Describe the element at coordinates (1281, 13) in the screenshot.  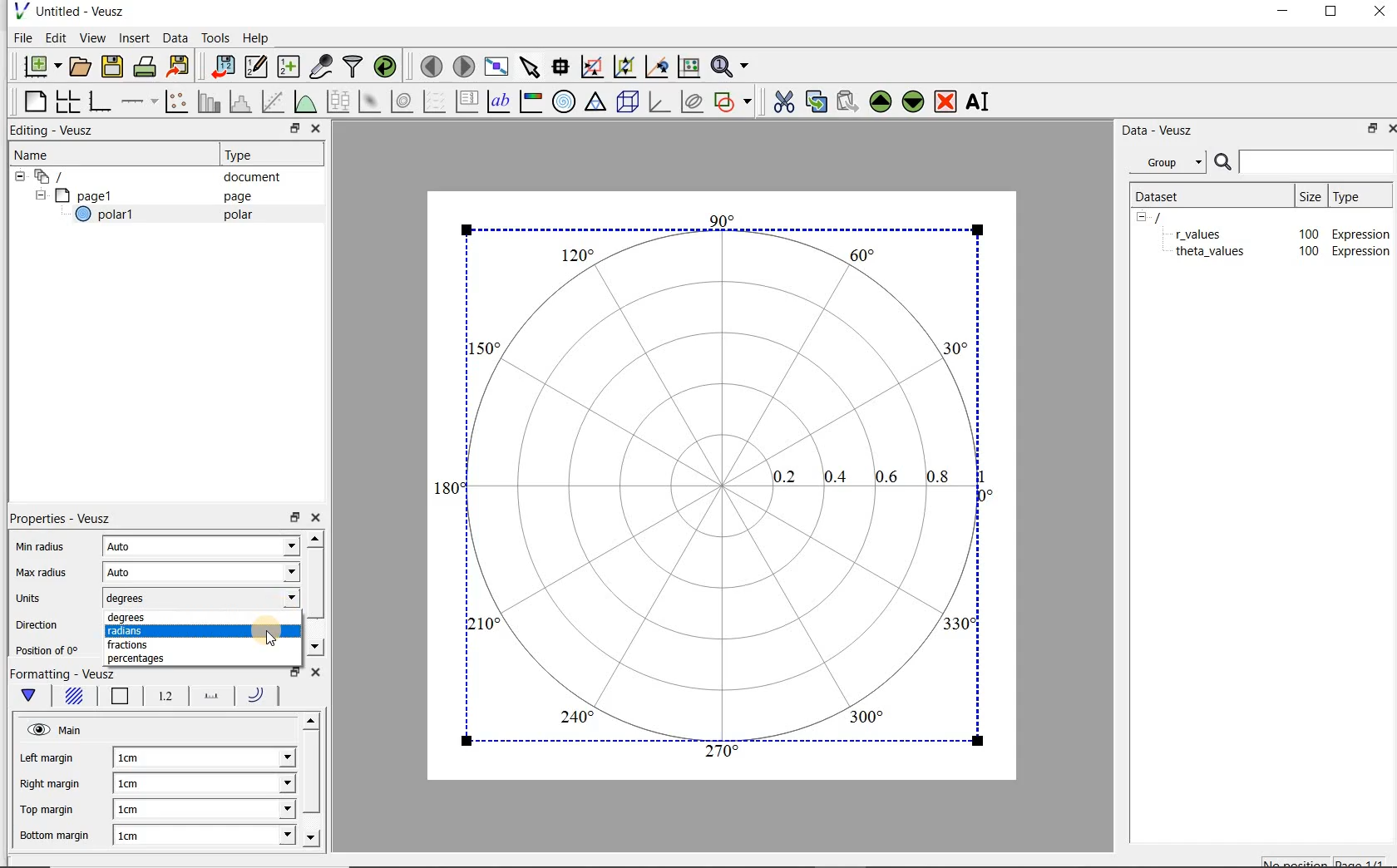
I see `minimize` at that location.